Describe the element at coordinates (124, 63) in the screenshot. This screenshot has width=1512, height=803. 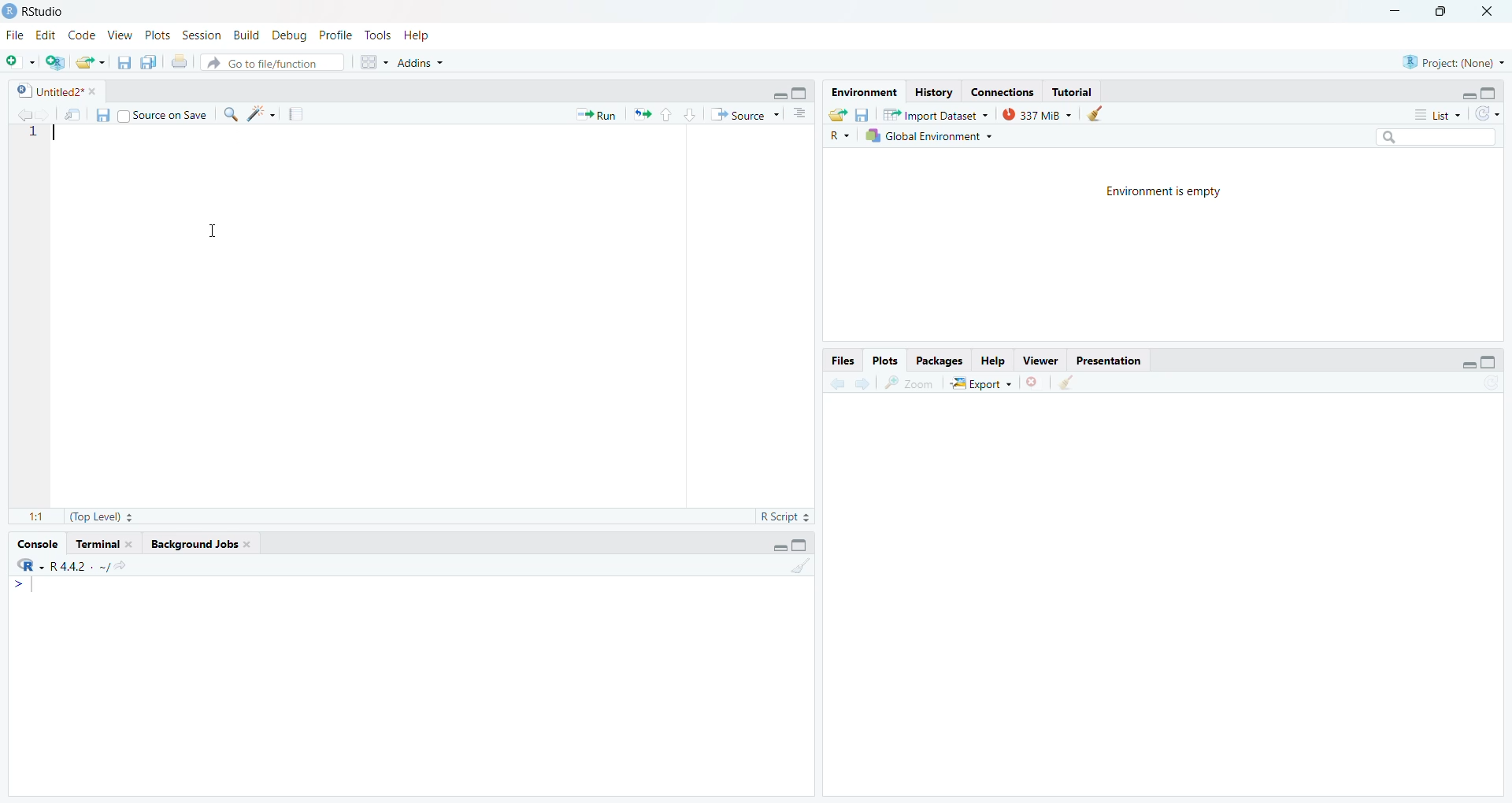
I see `save current document` at that location.